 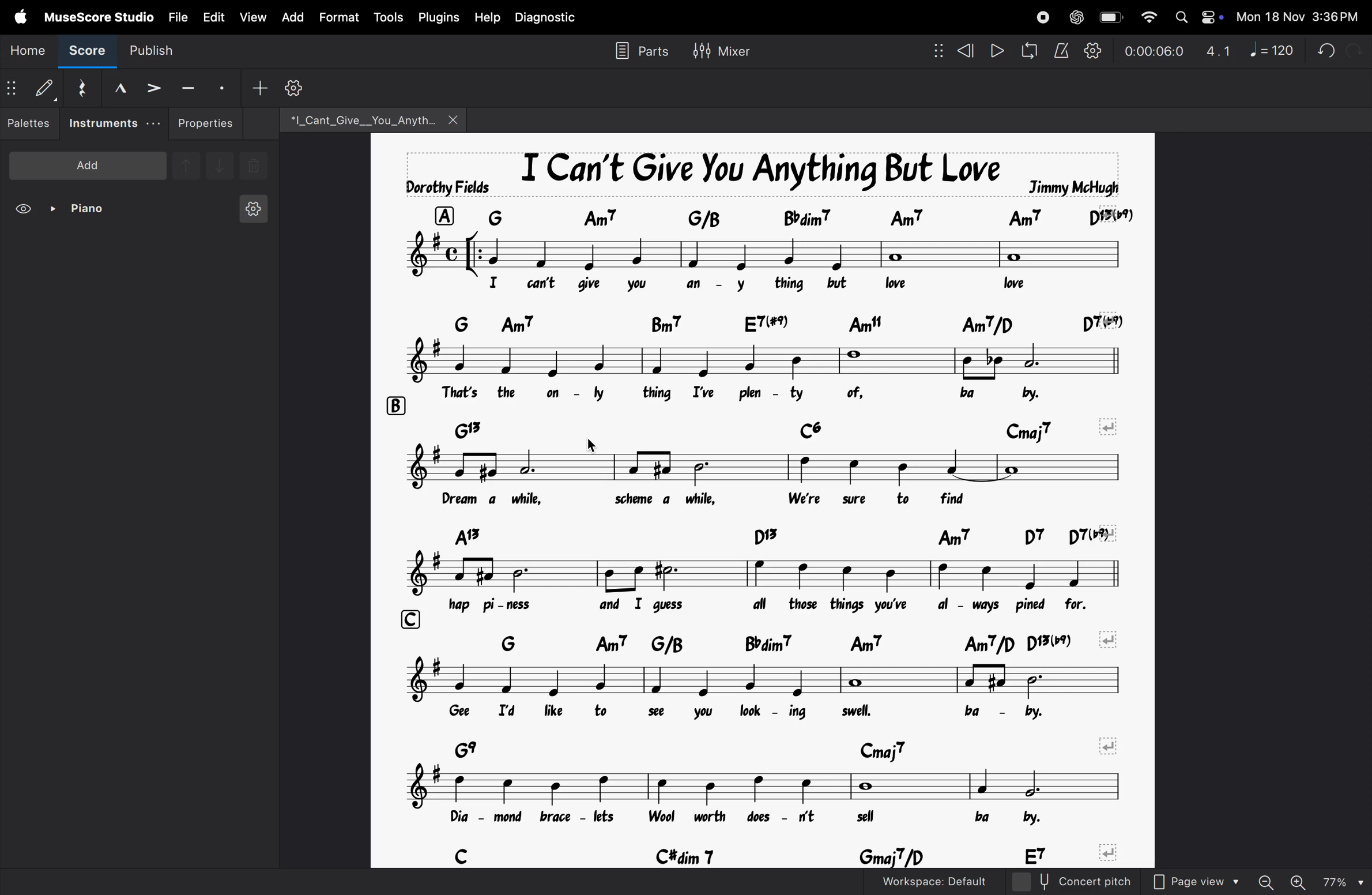 I want to click on parts, so click(x=639, y=51).